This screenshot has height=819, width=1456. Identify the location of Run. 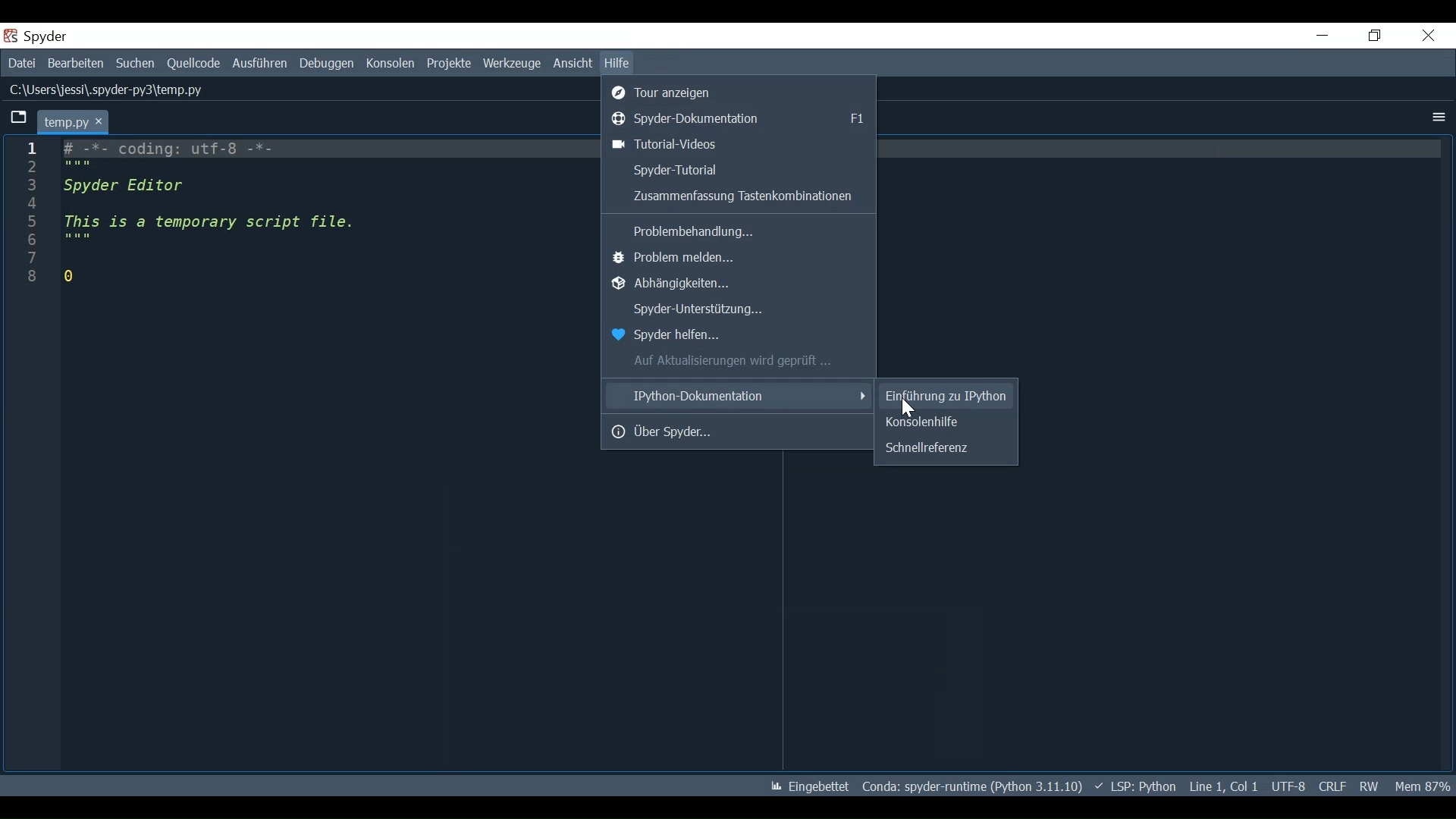
(260, 63).